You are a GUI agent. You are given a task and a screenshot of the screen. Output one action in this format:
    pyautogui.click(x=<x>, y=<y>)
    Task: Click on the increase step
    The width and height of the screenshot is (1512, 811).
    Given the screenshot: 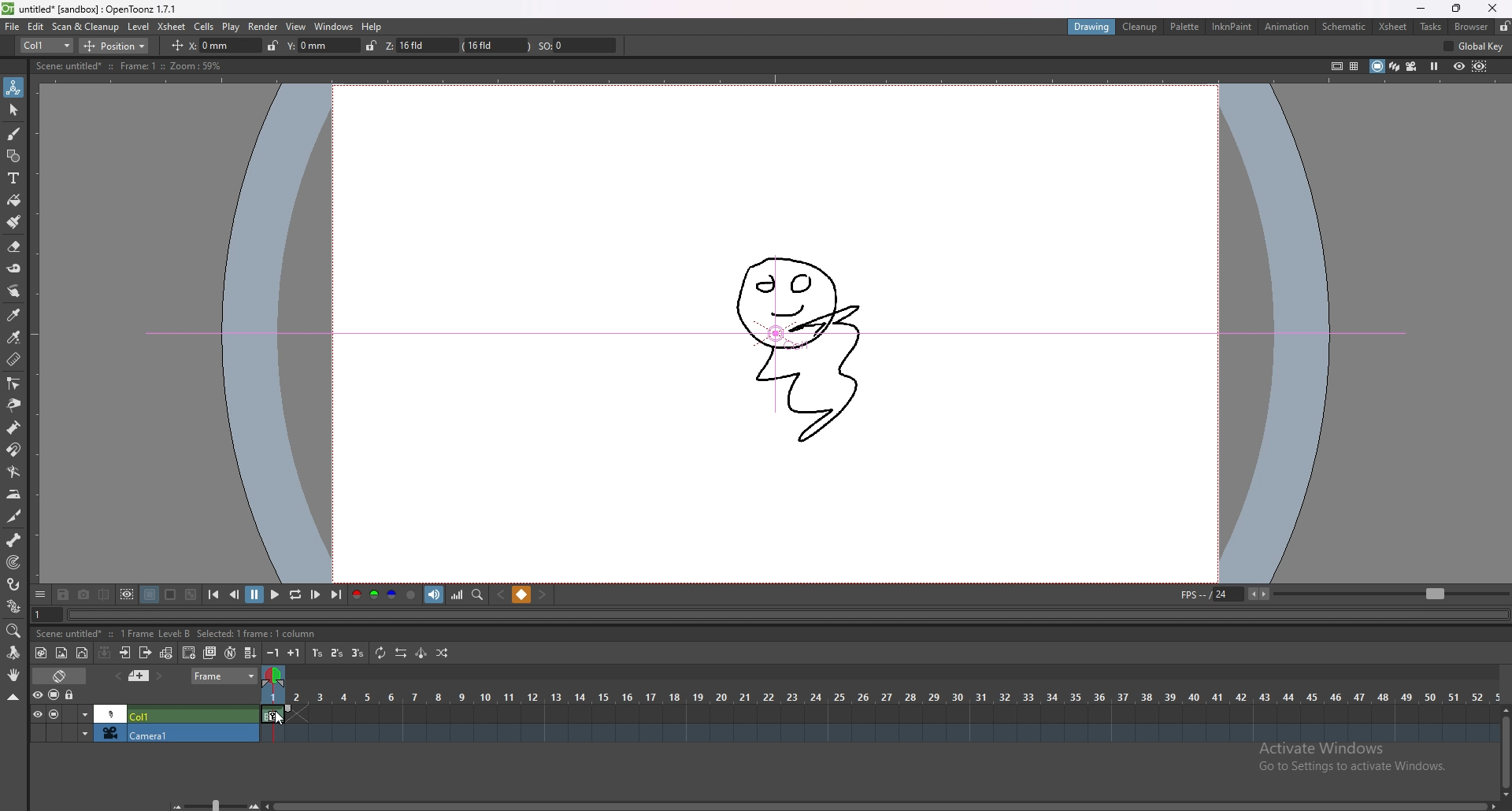 What is the action you would take?
    pyautogui.click(x=296, y=652)
    